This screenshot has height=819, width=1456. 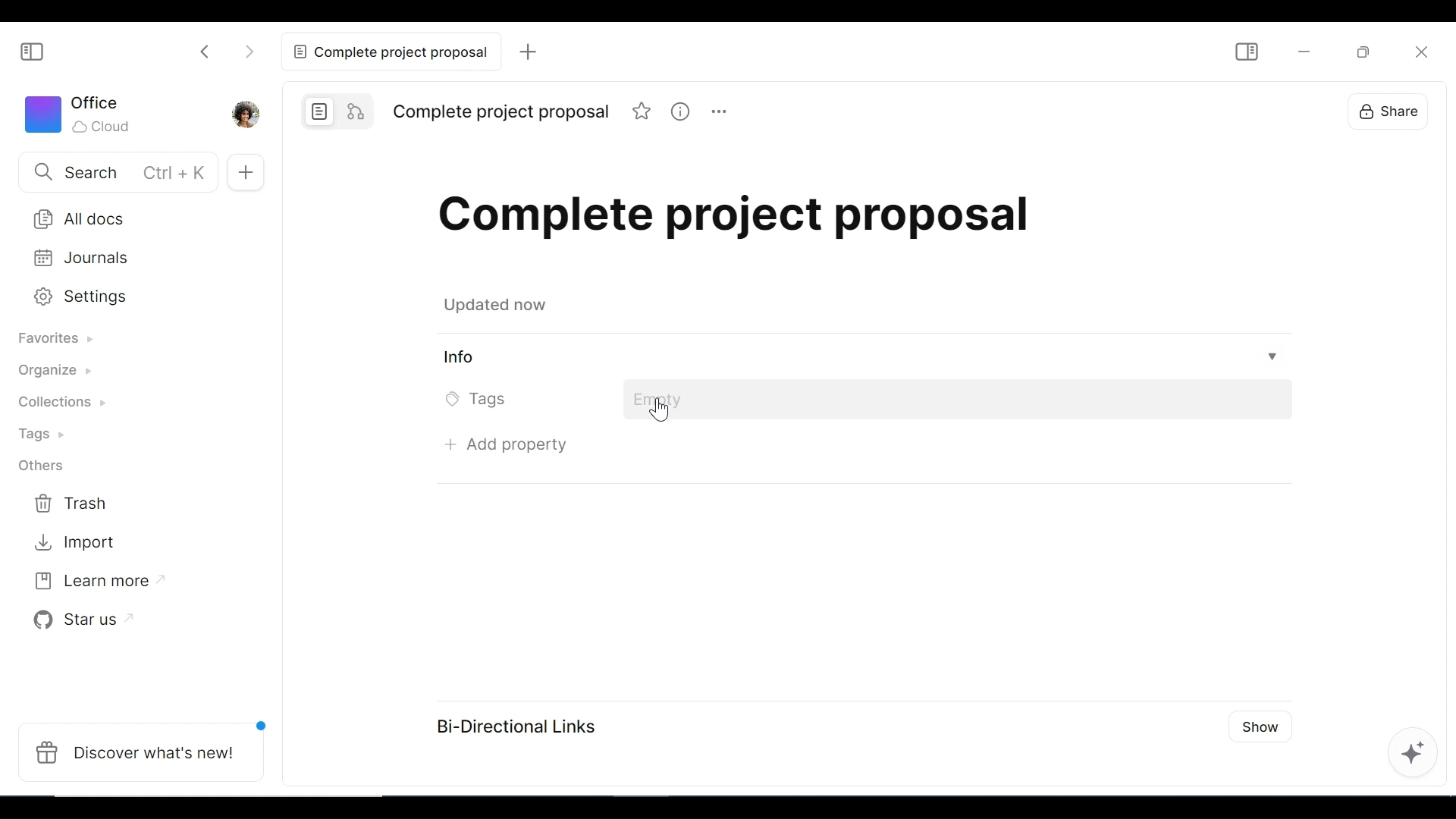 What do you see at coordinates (388, 52) in the screenshot?
I see `Current tab` at bounding box center [388, 52].